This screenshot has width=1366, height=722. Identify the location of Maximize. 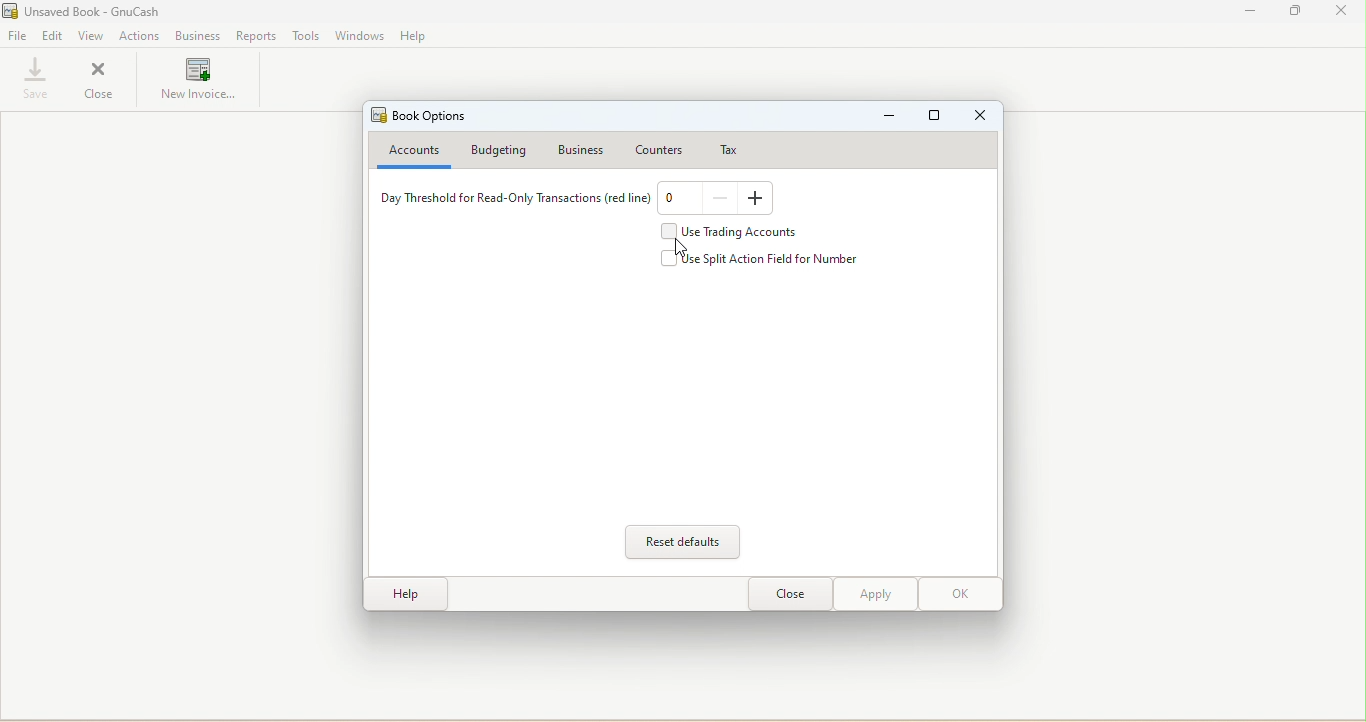
(1294, 12).